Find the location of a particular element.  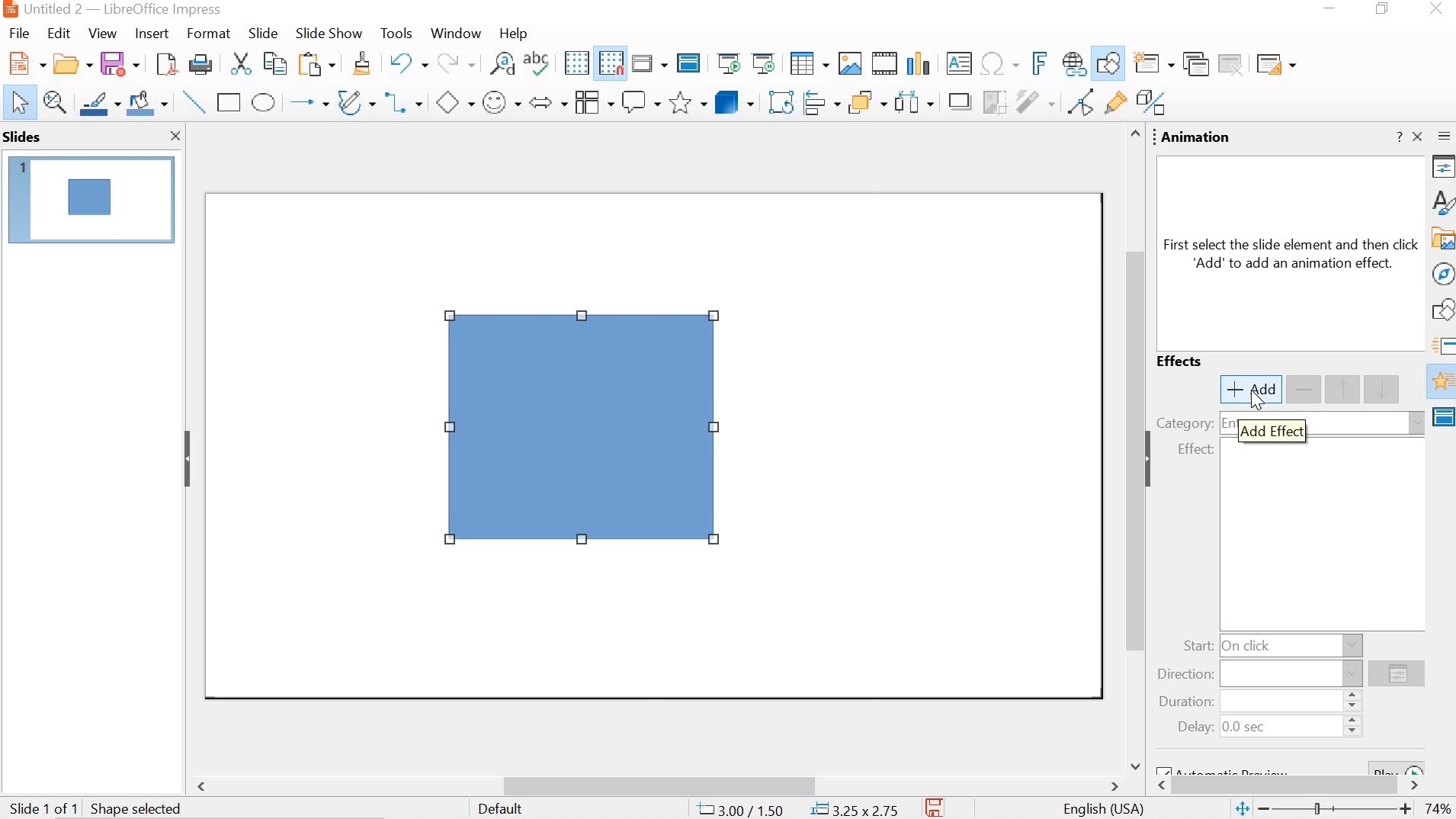

print is located at coordinates (199, 64).